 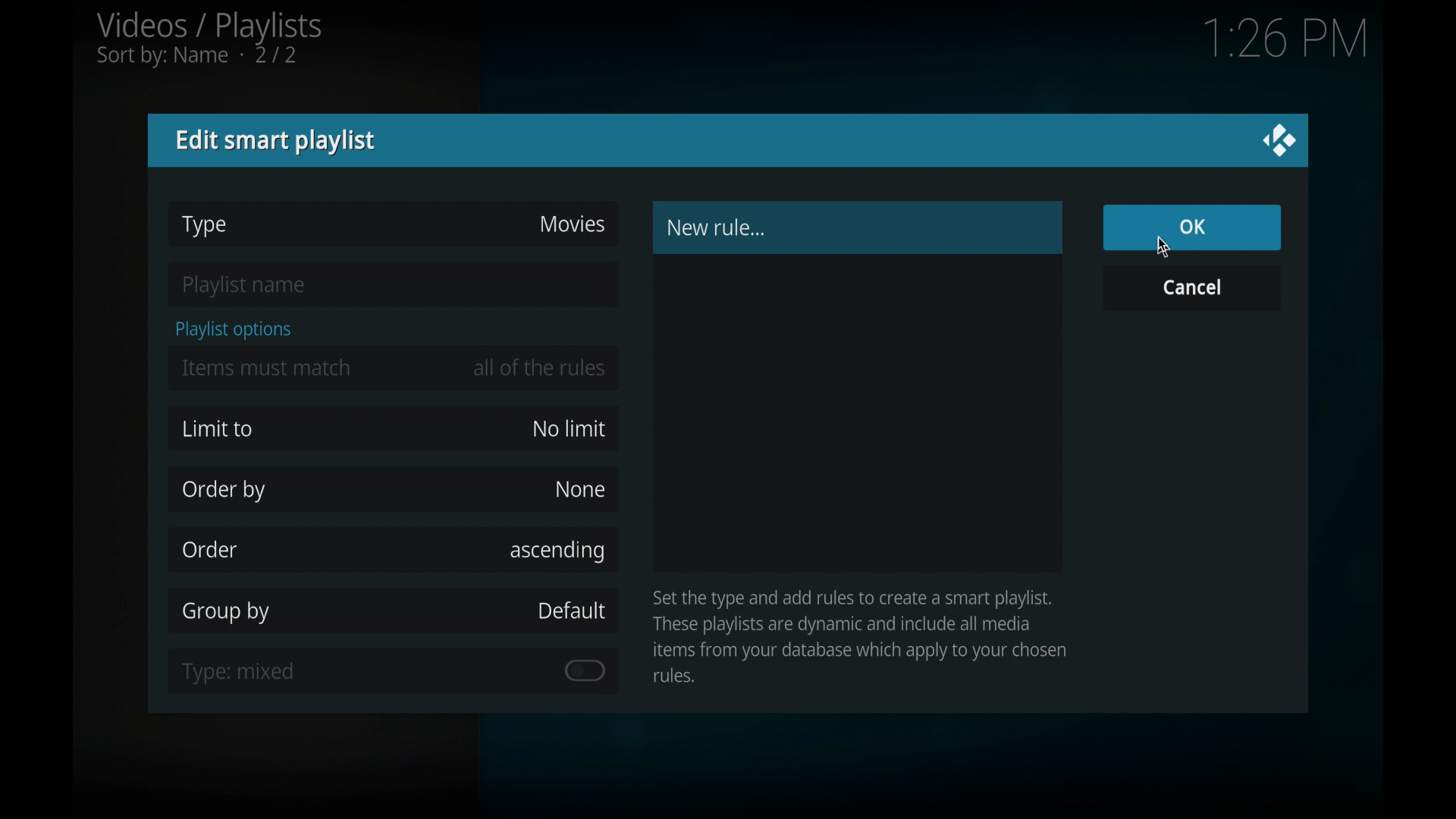 I want to click on new rule, so click(x=717, y=227).